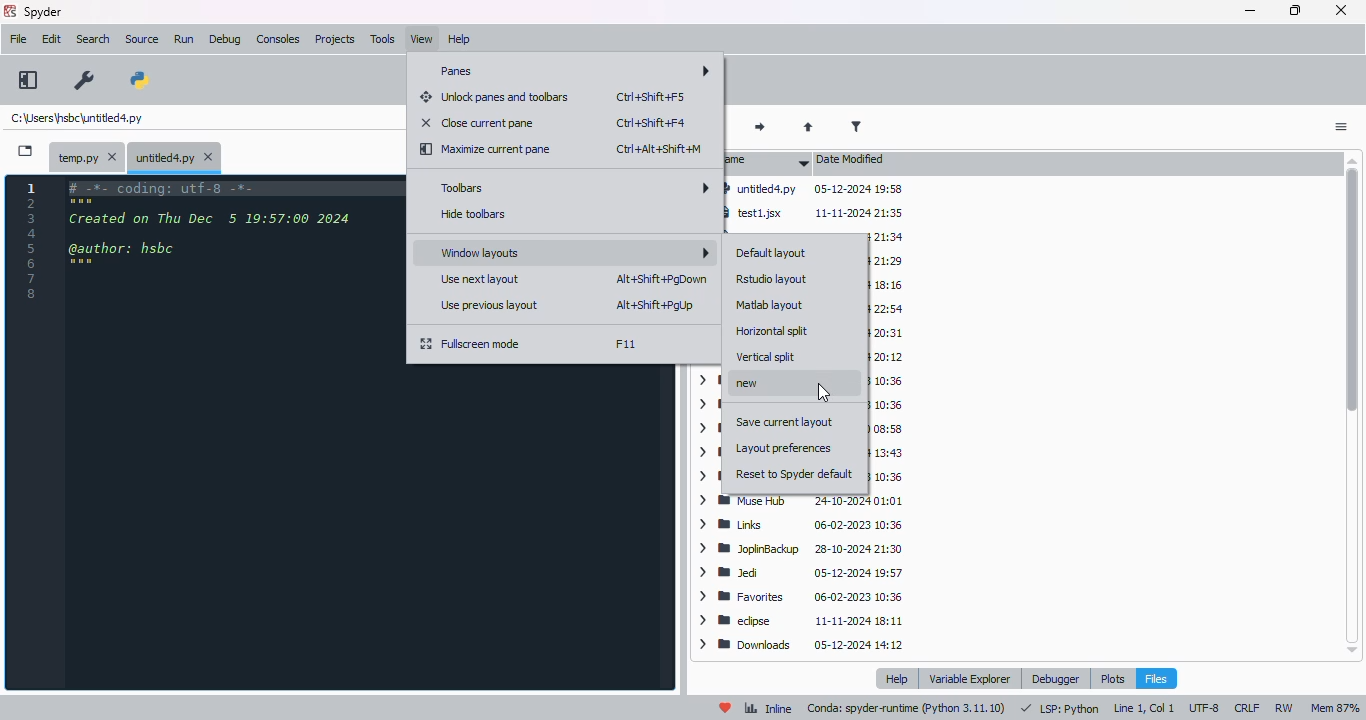  I want to click on consoles, so click(278, 38).